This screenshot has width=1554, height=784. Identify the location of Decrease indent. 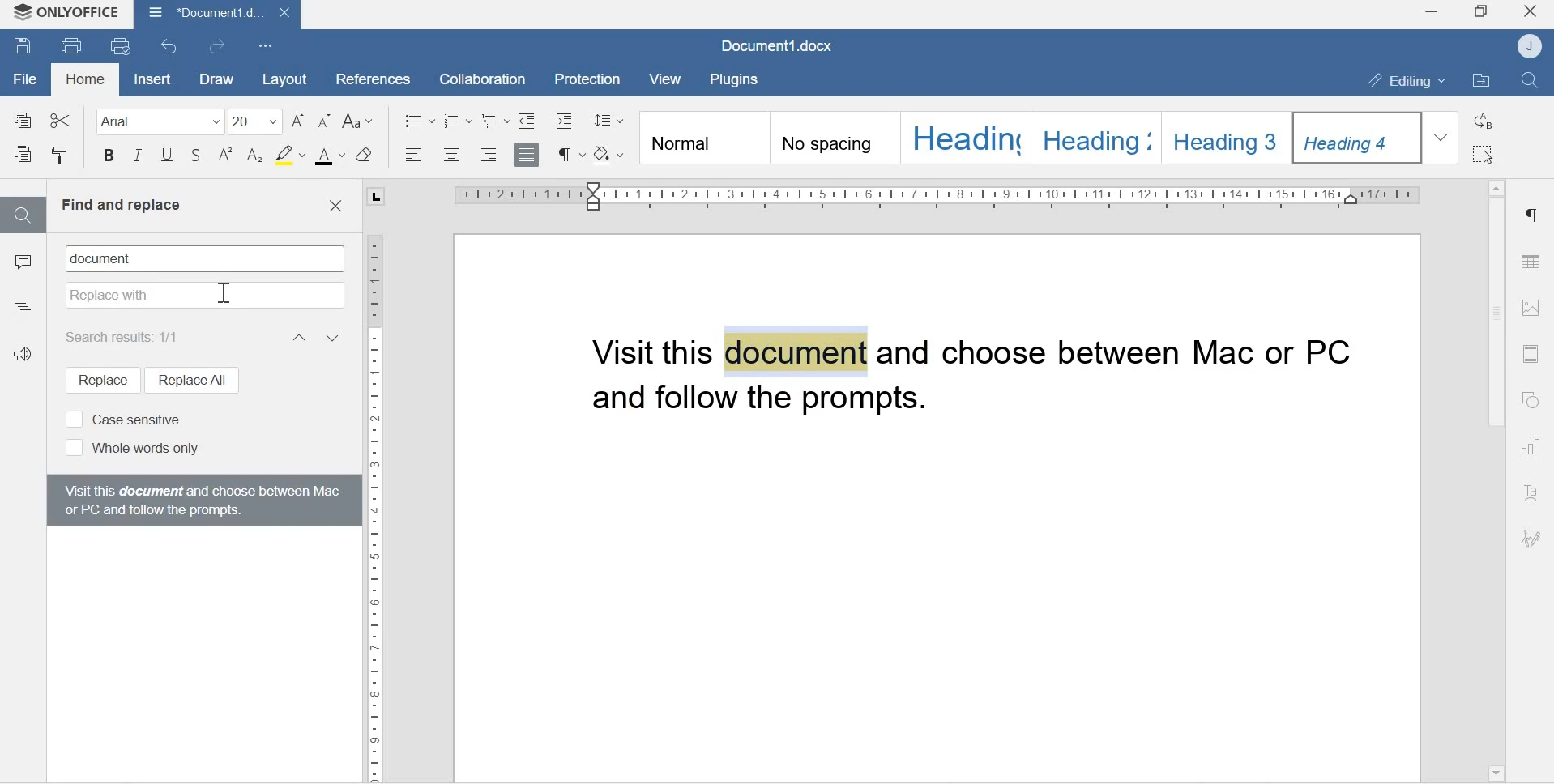
(527, 119).